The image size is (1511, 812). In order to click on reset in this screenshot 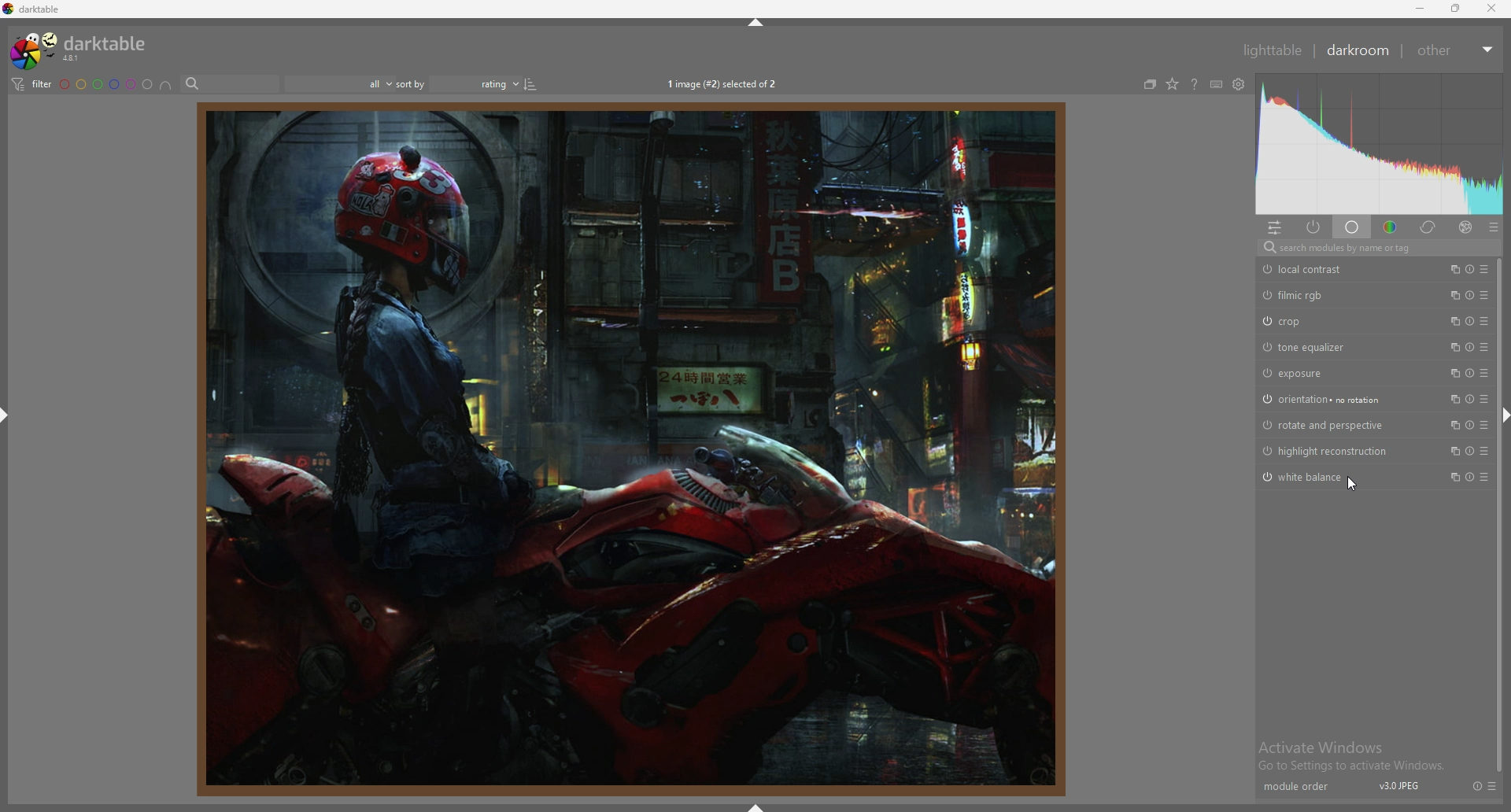, I will do `click(1472, 451)`.